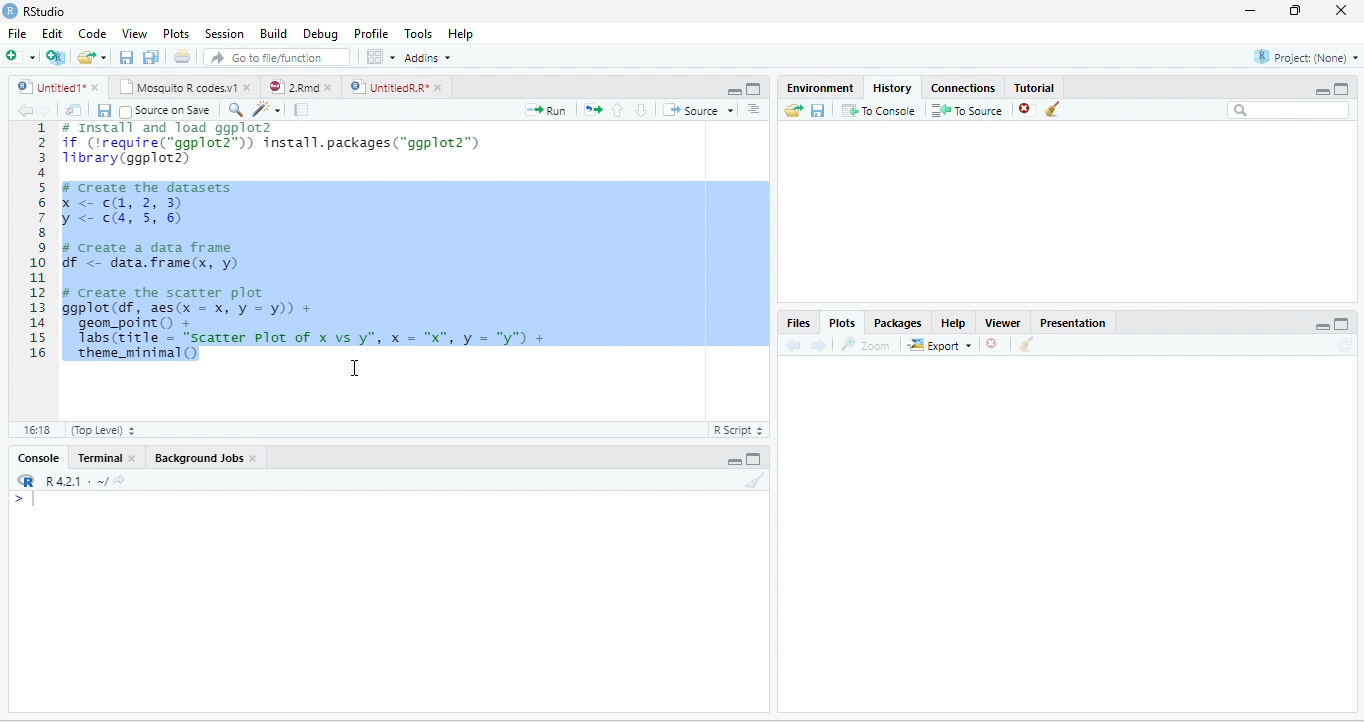 This screenshot has height=722, width=1364. I want to click on 2.Rmd, so click(292, 87).